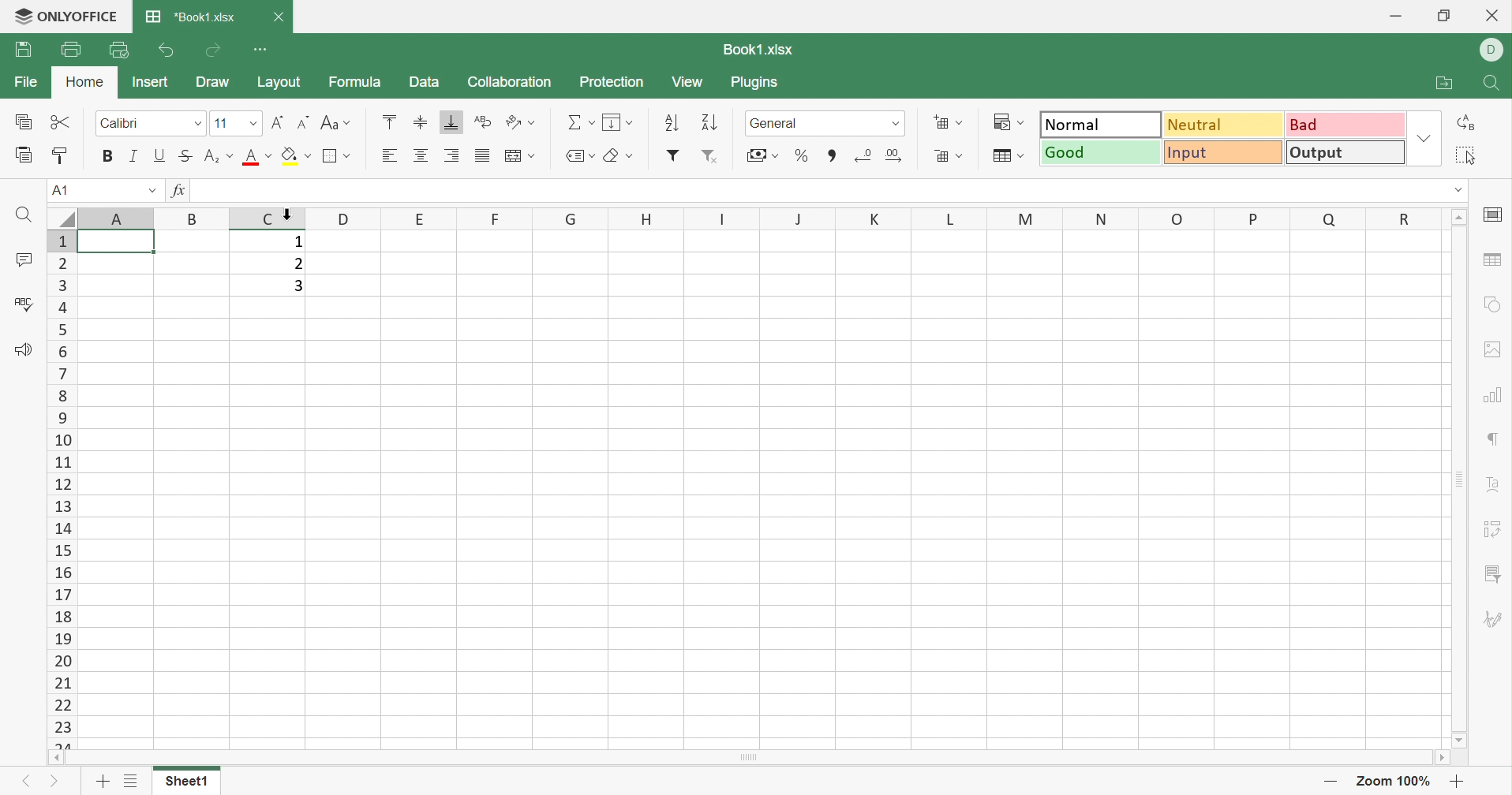 The width and height of the screenshot is (1512, 795). Describe the element at coordinates (1025, 155) in the screenshot. I see `Drop Down` at that location.